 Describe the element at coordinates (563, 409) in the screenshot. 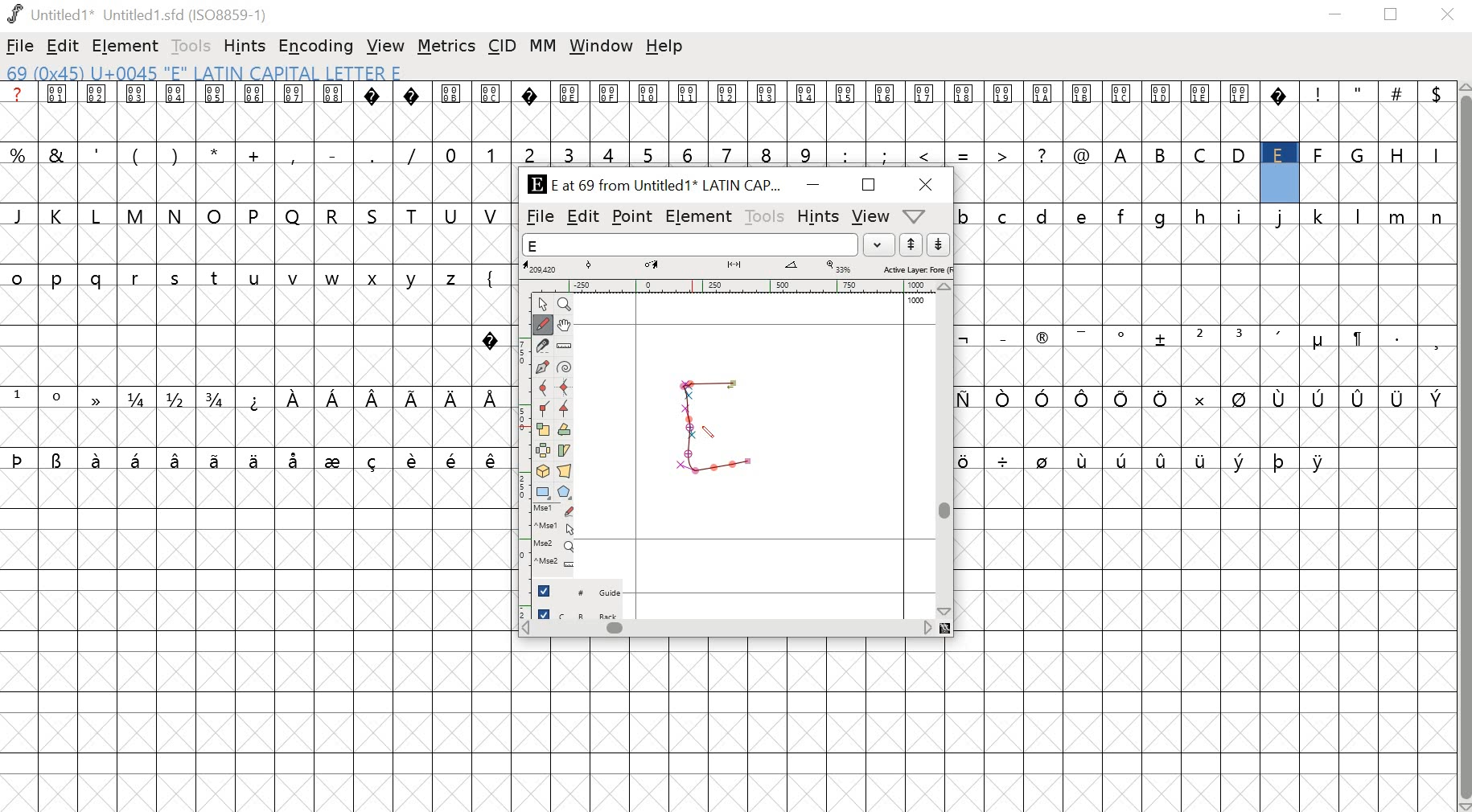

I see `Tangent` at that location.